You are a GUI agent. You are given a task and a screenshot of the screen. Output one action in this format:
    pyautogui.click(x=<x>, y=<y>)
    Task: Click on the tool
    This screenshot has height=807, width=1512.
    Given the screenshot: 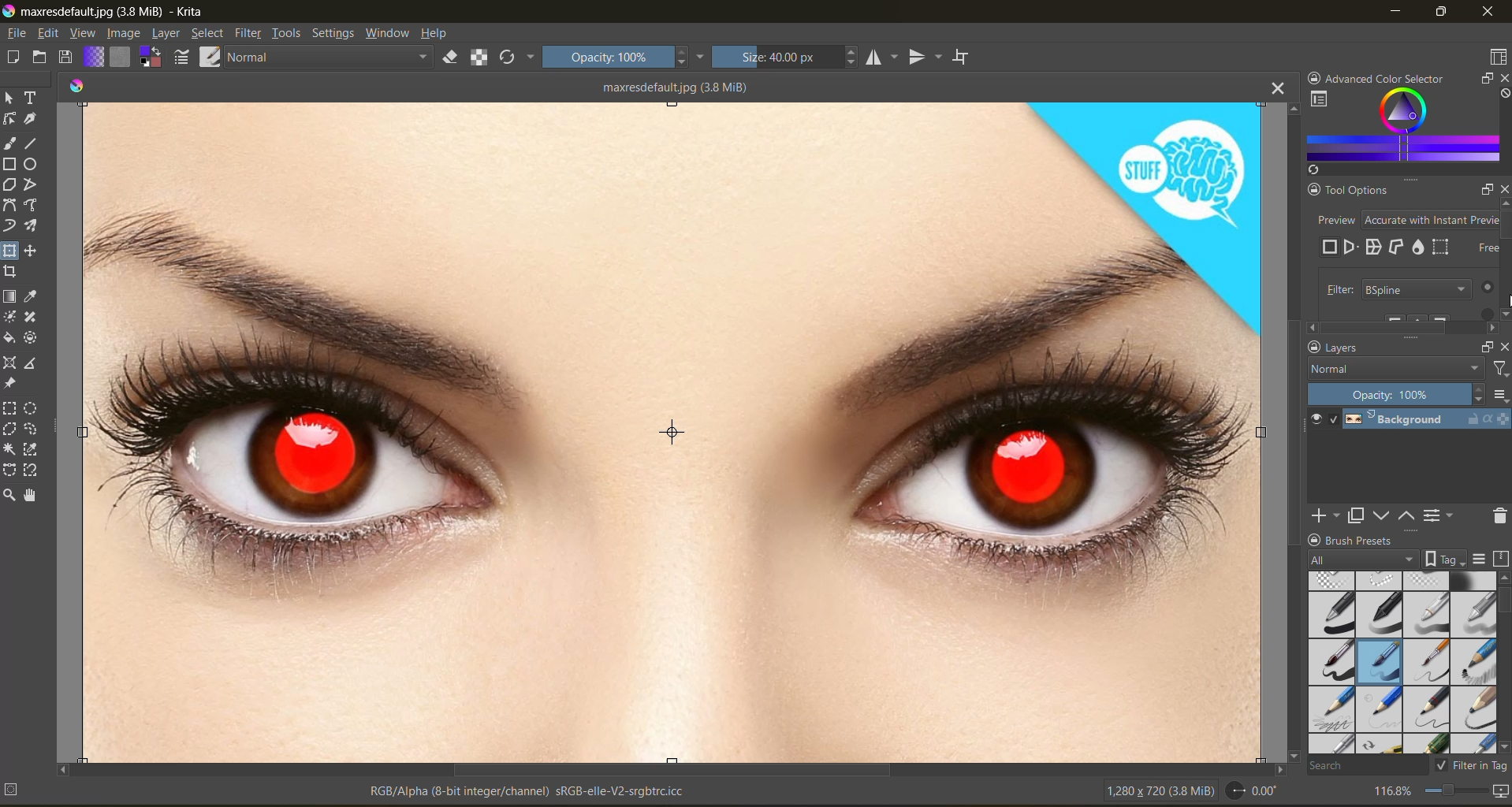 What is the action you would take?
    pyautogui.click(x=9, y=383)
    